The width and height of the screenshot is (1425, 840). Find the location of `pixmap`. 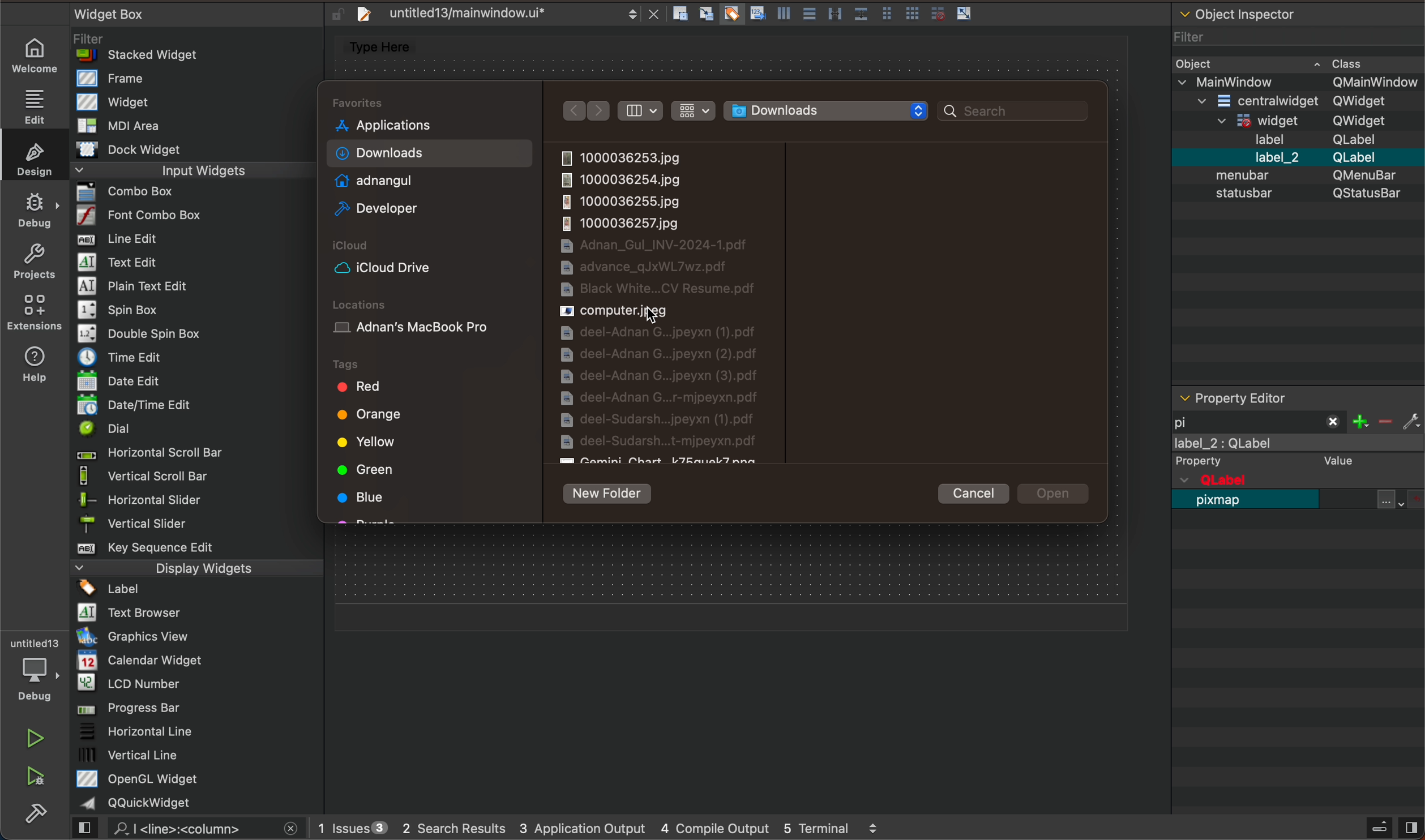

pixmap is located at coordinates (1223, 506).